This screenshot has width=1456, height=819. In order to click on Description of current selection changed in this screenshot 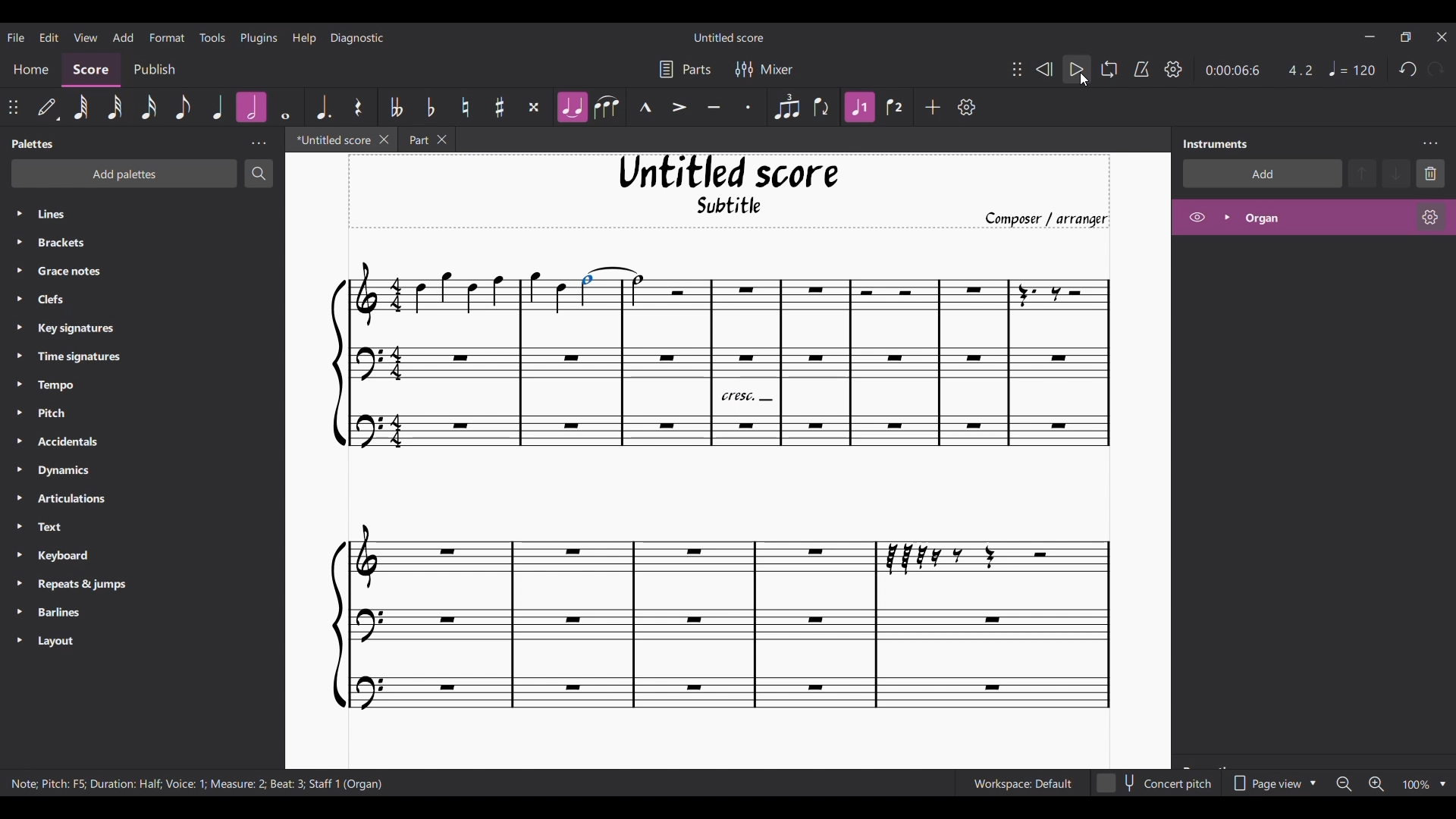, I will do `click(196, 783)`.